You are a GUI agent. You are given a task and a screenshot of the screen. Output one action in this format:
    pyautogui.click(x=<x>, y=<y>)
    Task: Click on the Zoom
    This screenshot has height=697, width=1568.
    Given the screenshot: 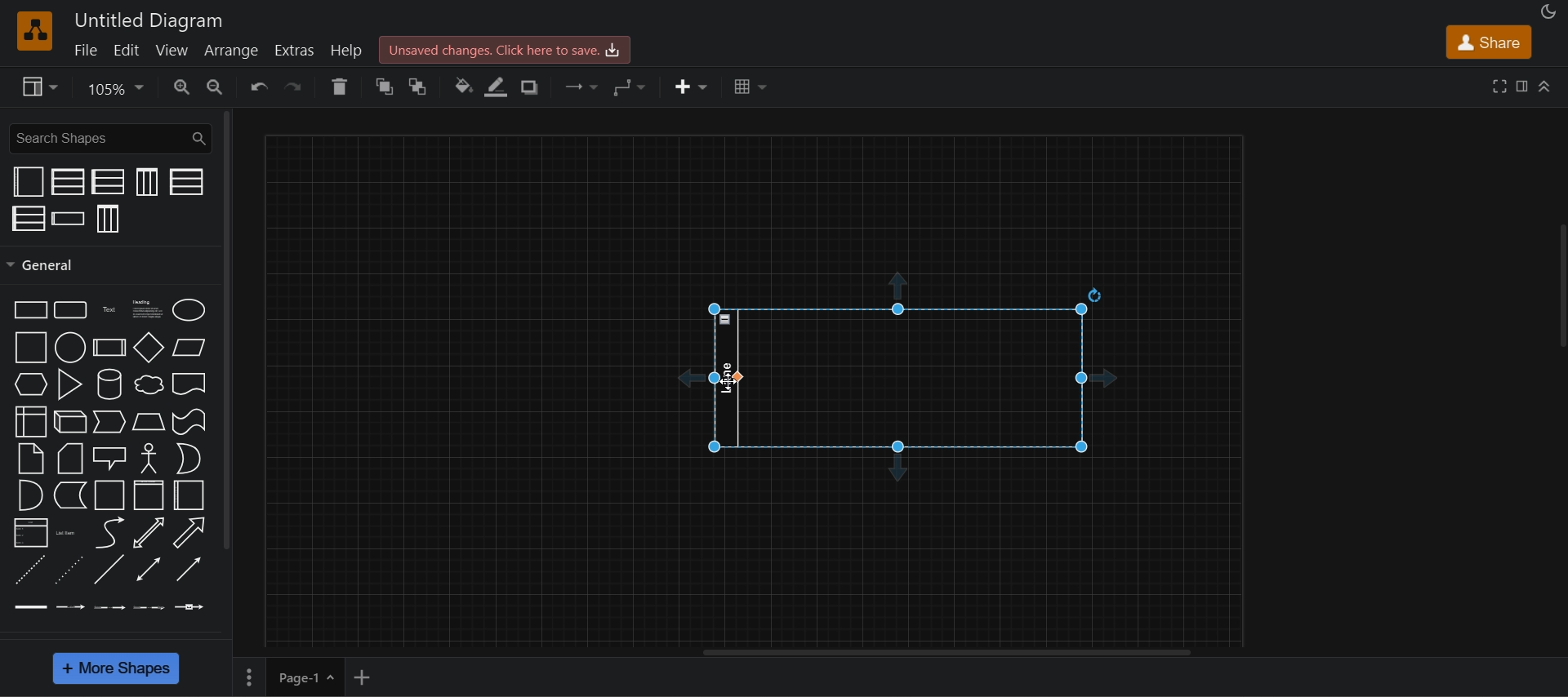 What is the action you would take?
    pyautogui.click(x=118, y=87)
    